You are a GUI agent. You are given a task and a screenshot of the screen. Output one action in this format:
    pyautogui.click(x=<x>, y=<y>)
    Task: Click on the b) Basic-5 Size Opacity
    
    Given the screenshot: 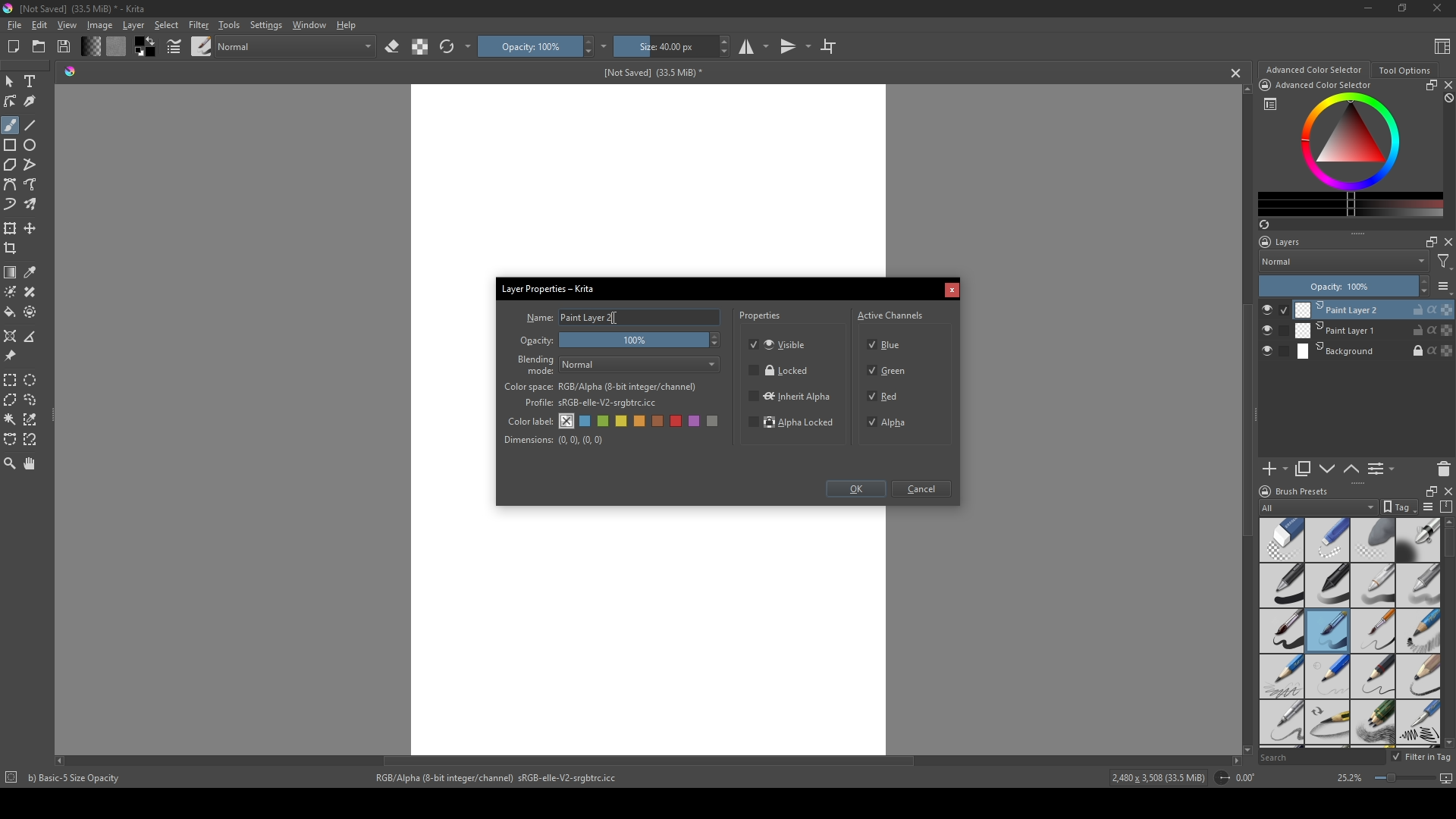 What is the action you would take?
    pyautogui.click(x=77, y=778)
    